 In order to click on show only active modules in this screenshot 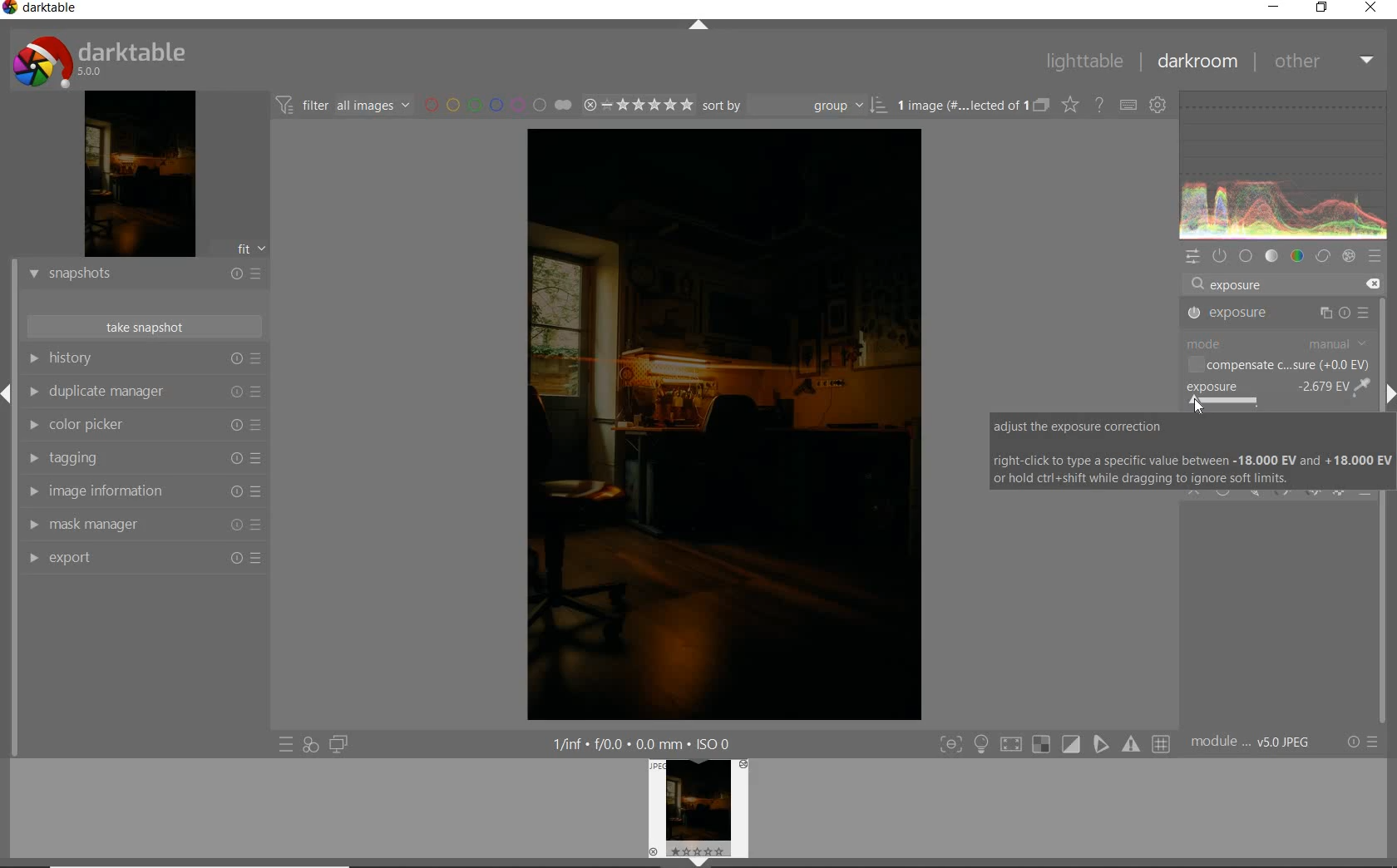, I will do `click(1220, 256)`.